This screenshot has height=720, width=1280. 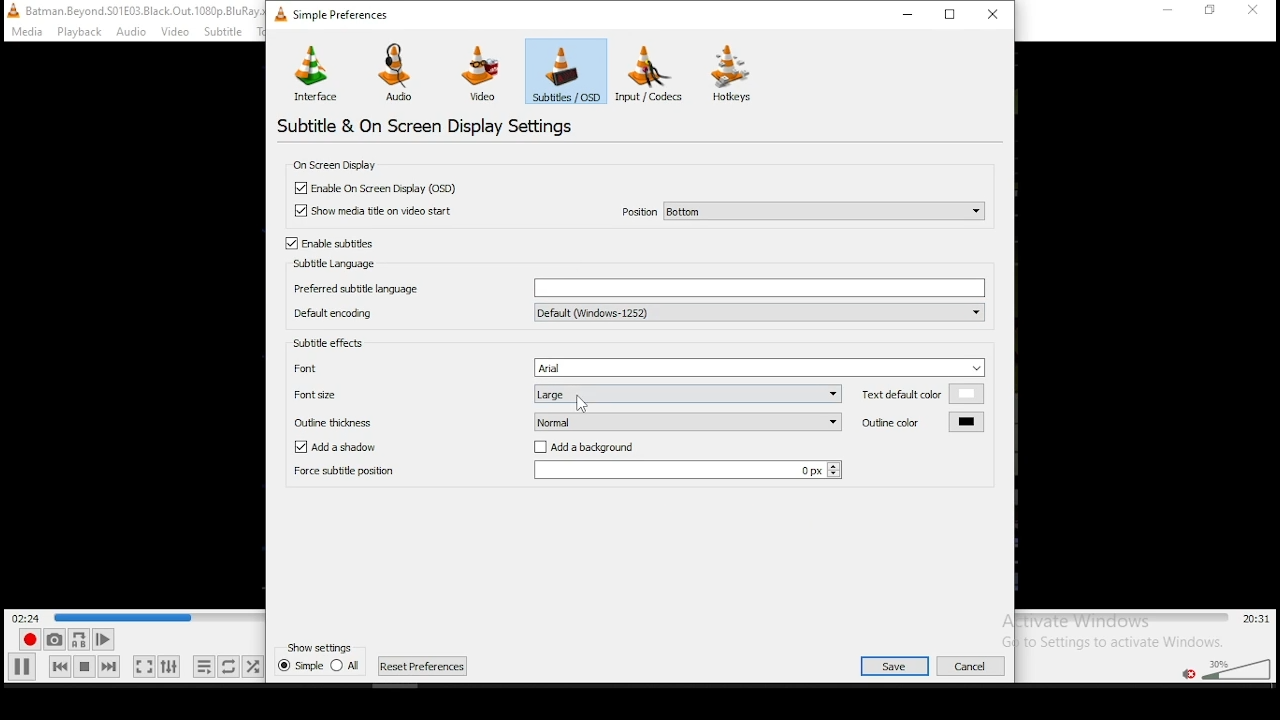 I want to click on hotkeys, so click(x=732, y=72).